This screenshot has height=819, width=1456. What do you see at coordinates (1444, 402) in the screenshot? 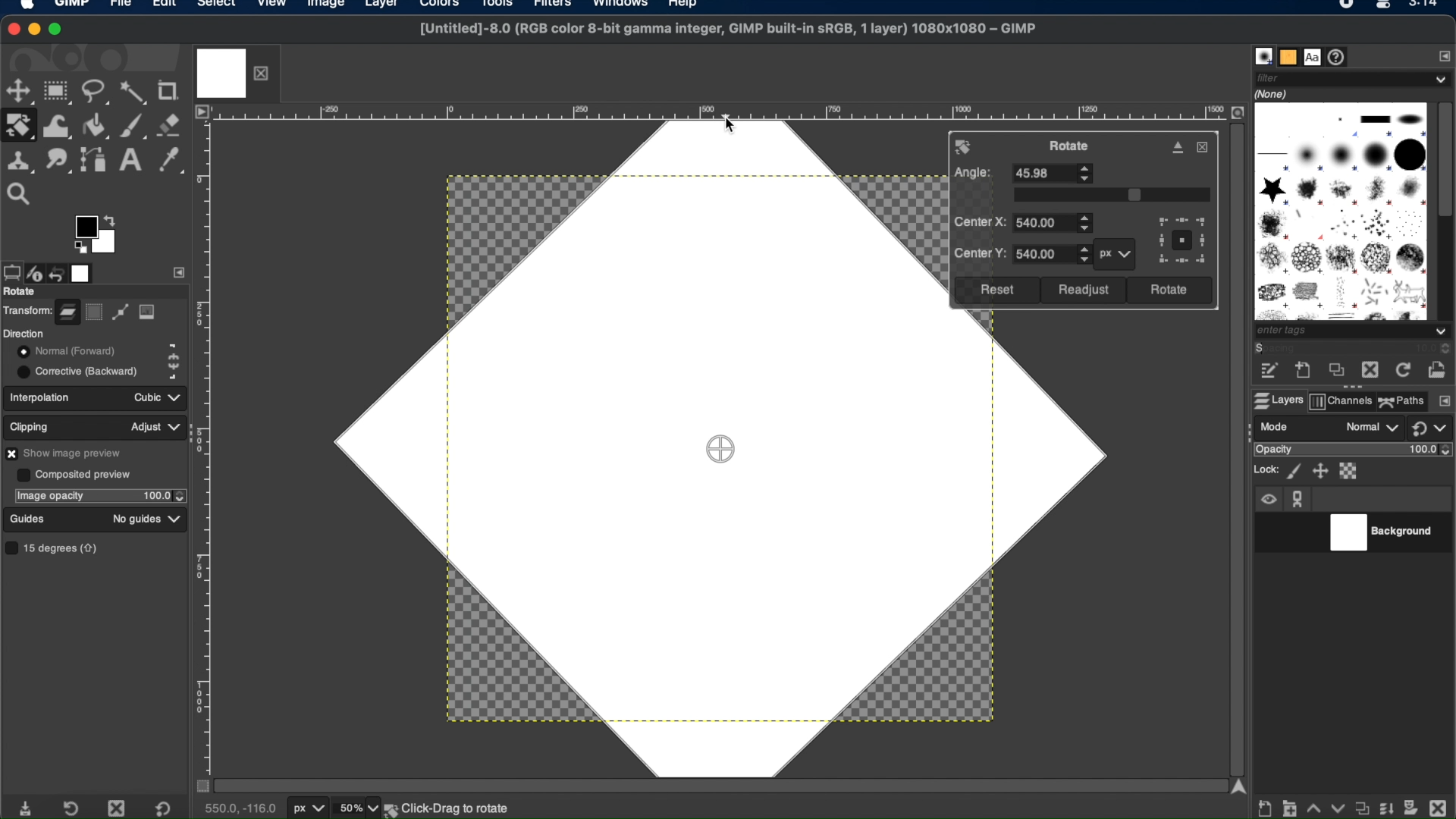
I see `configure this tab` at bounding box center [1444, 402].